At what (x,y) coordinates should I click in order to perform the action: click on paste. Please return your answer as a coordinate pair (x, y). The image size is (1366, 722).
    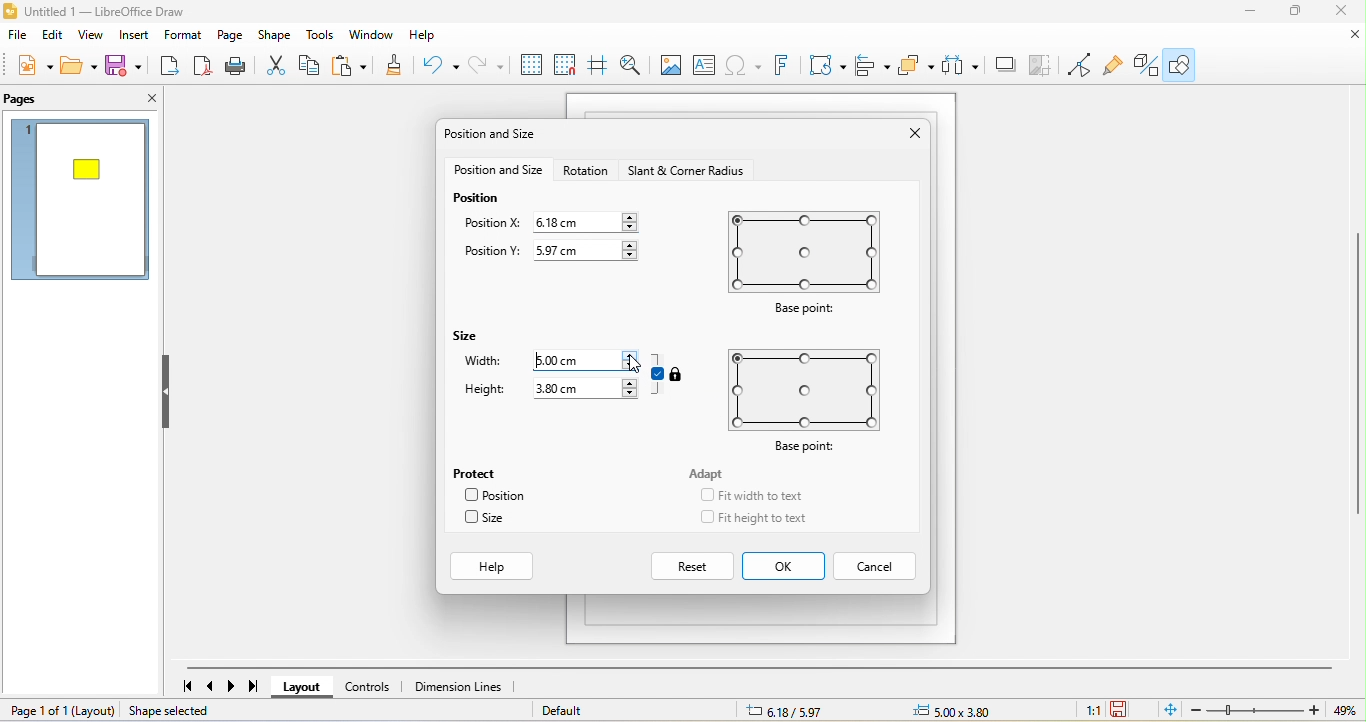
    Looking at the image, I should click on (353, 64).